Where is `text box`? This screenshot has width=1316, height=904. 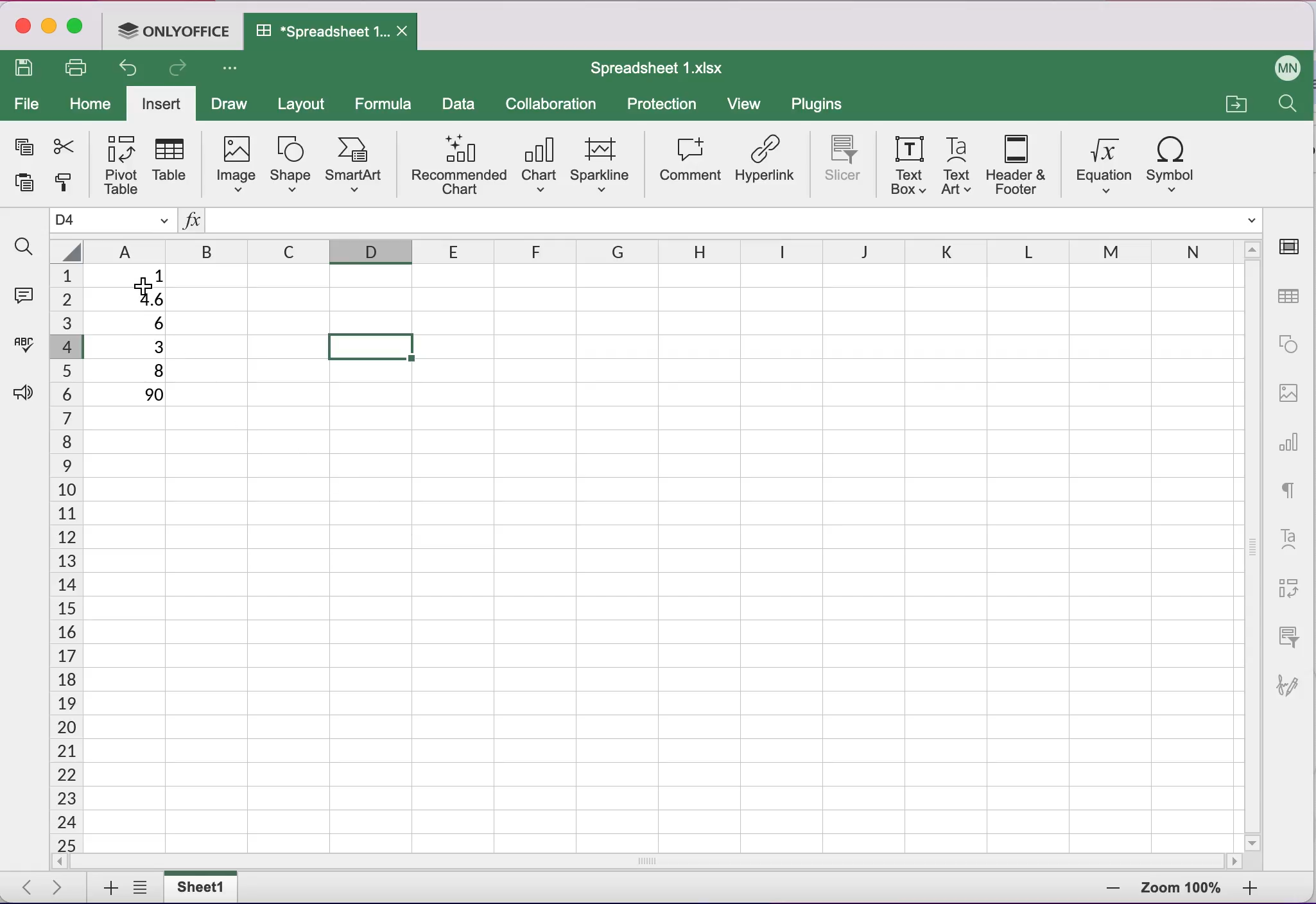
text box is located at coordinates (906, 164).